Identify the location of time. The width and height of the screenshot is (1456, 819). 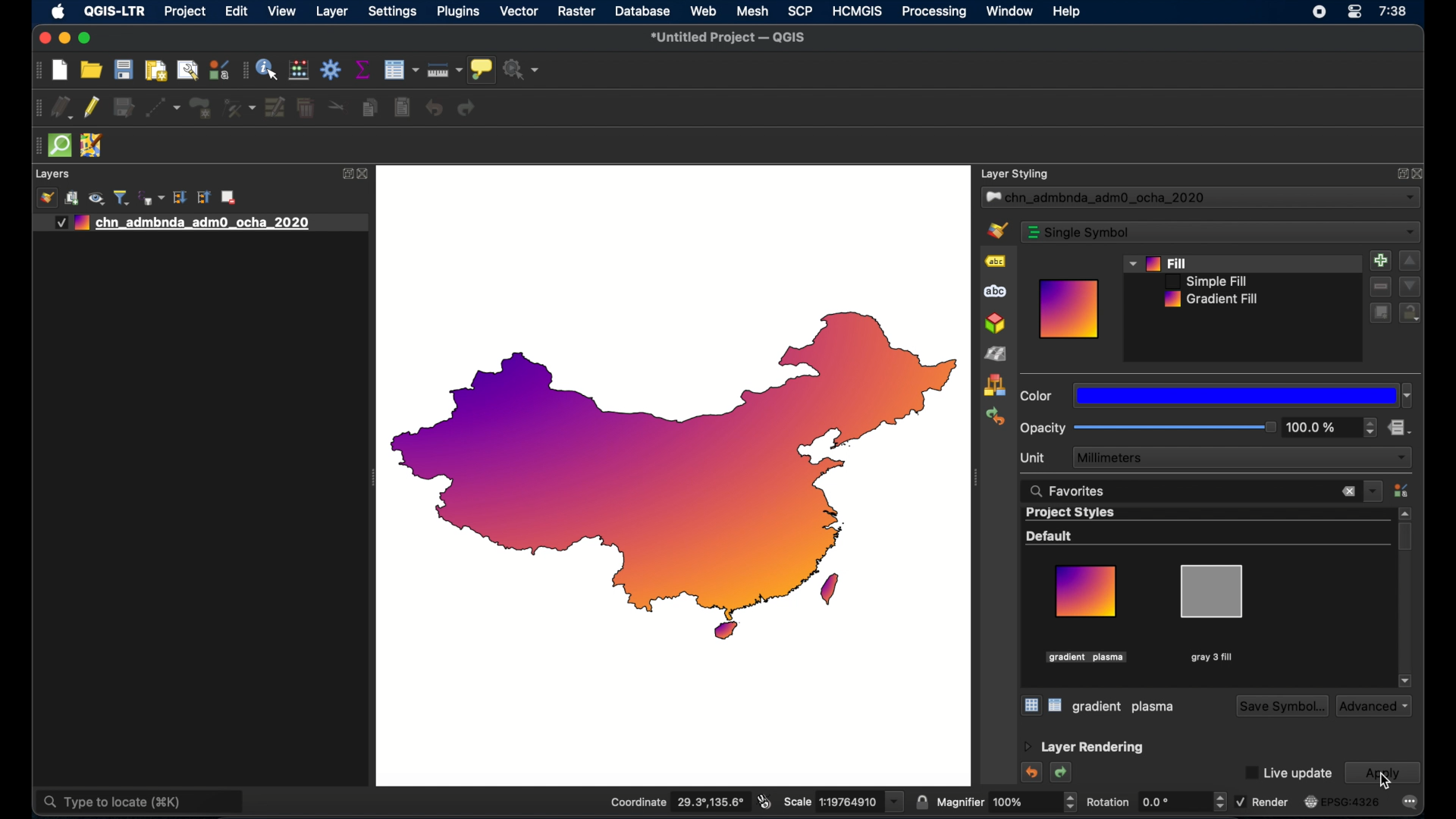
(1394, 11).